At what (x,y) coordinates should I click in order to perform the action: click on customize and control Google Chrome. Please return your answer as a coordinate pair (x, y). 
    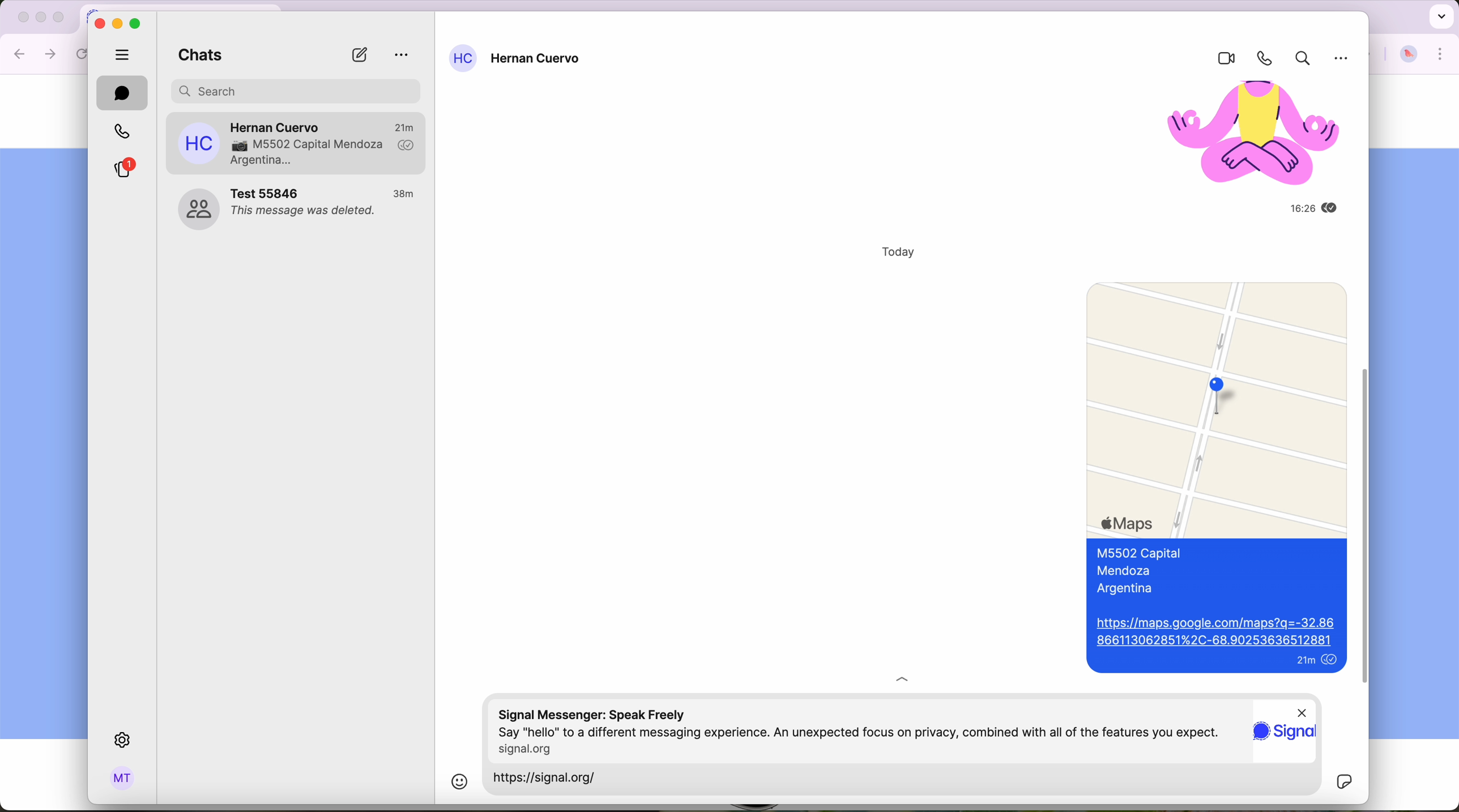
    Looking at the image, I should click on (1441, 54).